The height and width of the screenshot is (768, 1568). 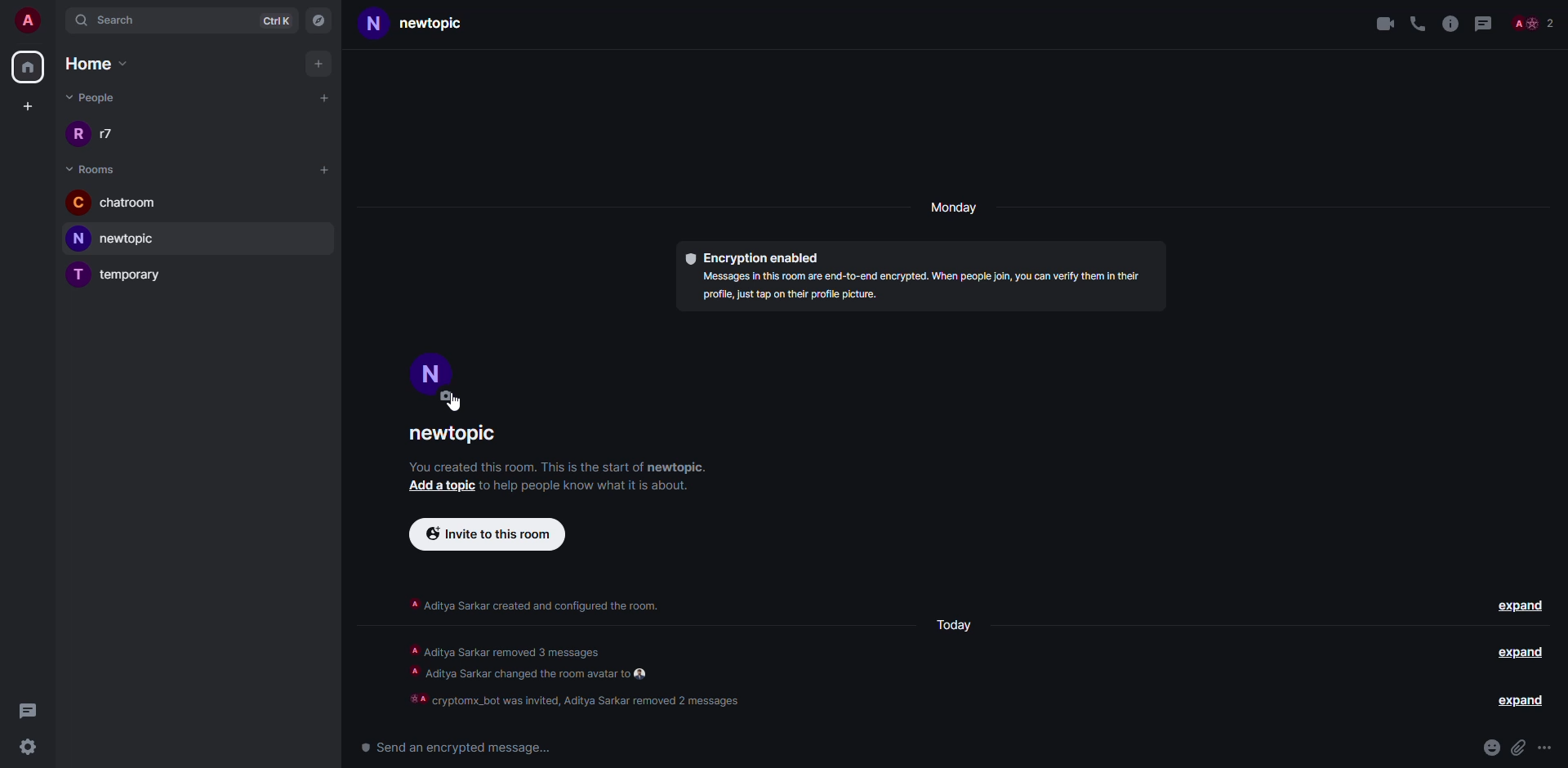 What do you see at coordinates (28, 68) in the screenshot?
I see `home` at bounding box center [28, 68].